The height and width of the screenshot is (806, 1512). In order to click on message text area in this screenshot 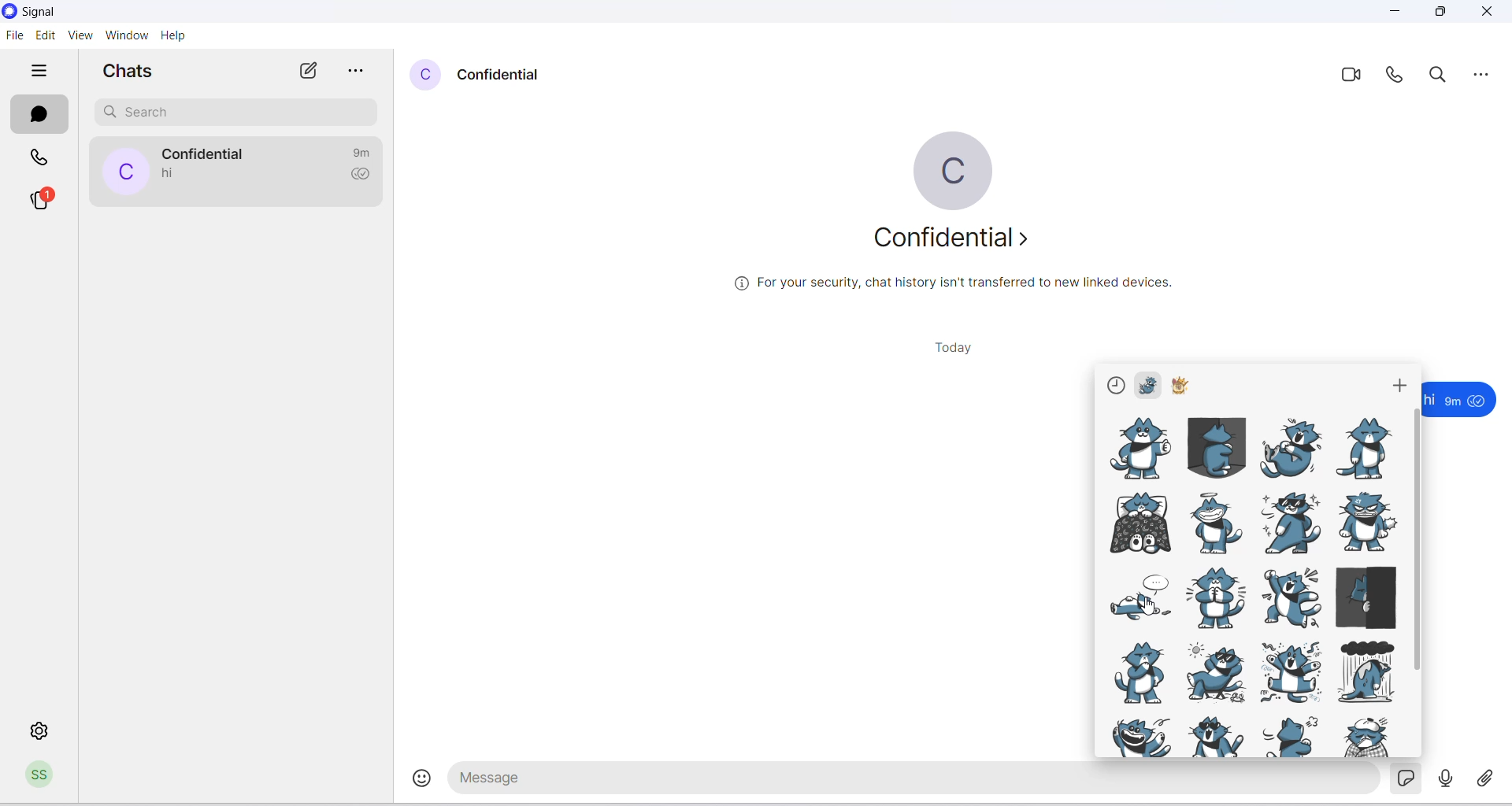, I will do `click(916, 781)`.